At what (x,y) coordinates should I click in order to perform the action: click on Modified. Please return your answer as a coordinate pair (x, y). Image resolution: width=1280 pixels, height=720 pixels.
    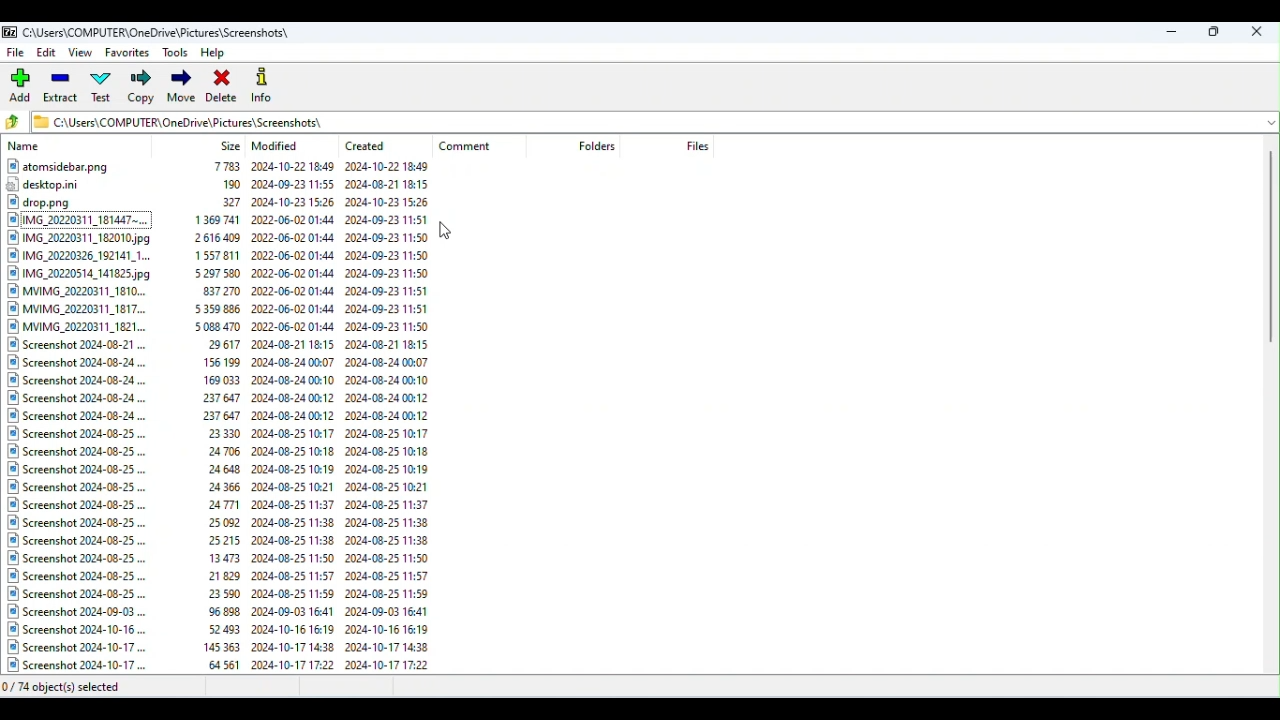
    Looking at the image, I should click on (279, 146).